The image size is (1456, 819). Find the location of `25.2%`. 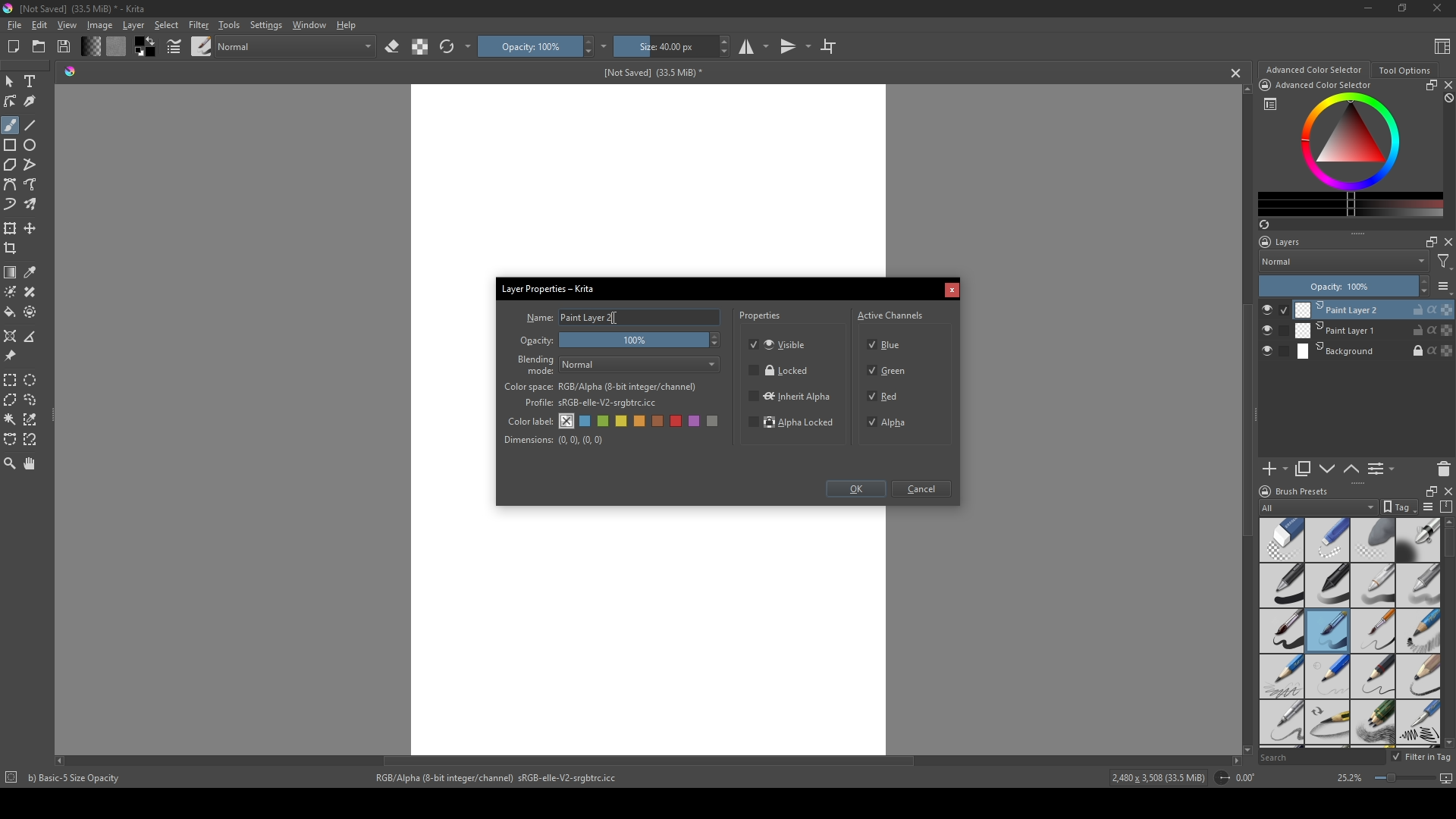

25.2% is located at coordinates (1348, 779).